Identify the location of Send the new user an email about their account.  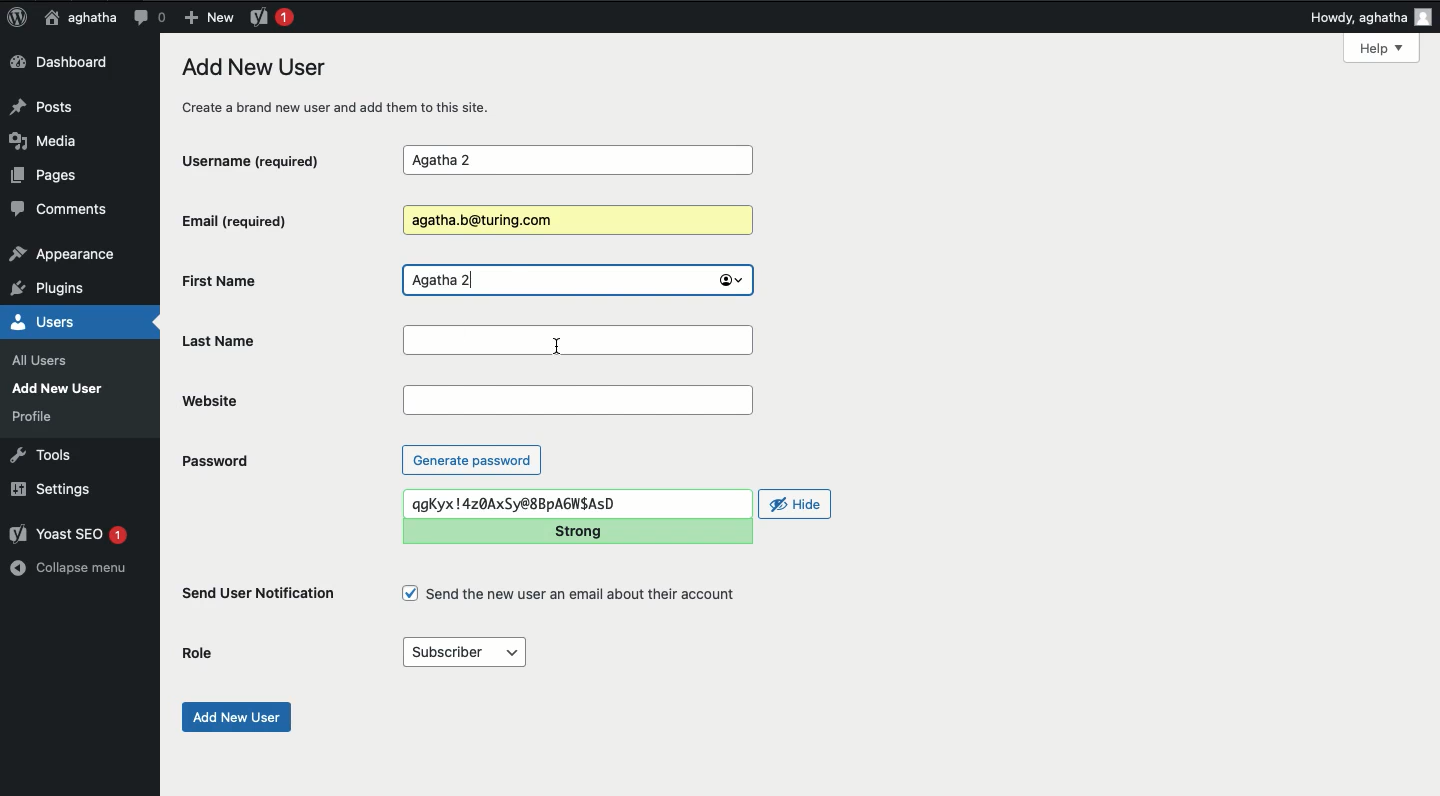
(572, 594).